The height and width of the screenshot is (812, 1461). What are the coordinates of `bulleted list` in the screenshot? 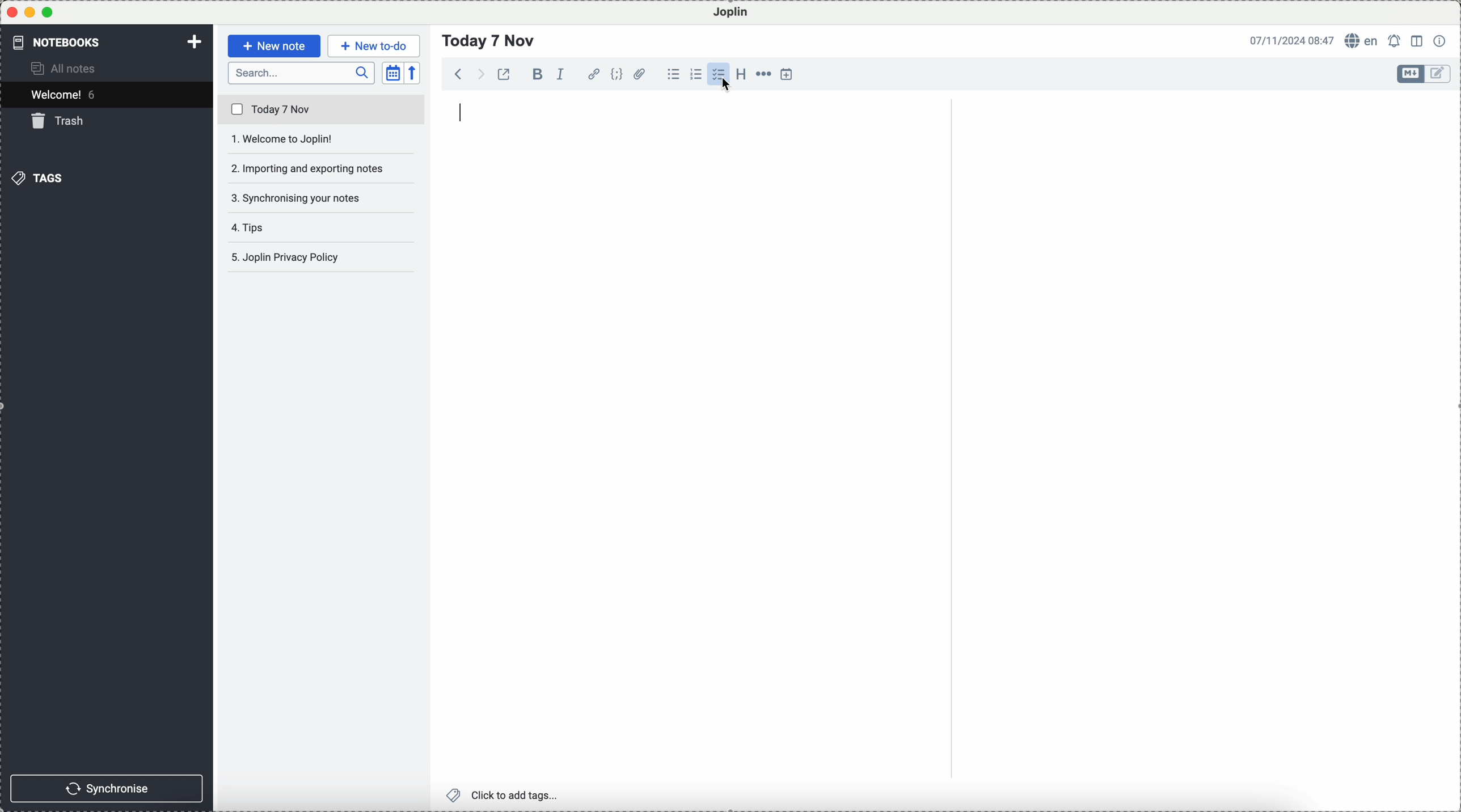 It's located at (673, 74).